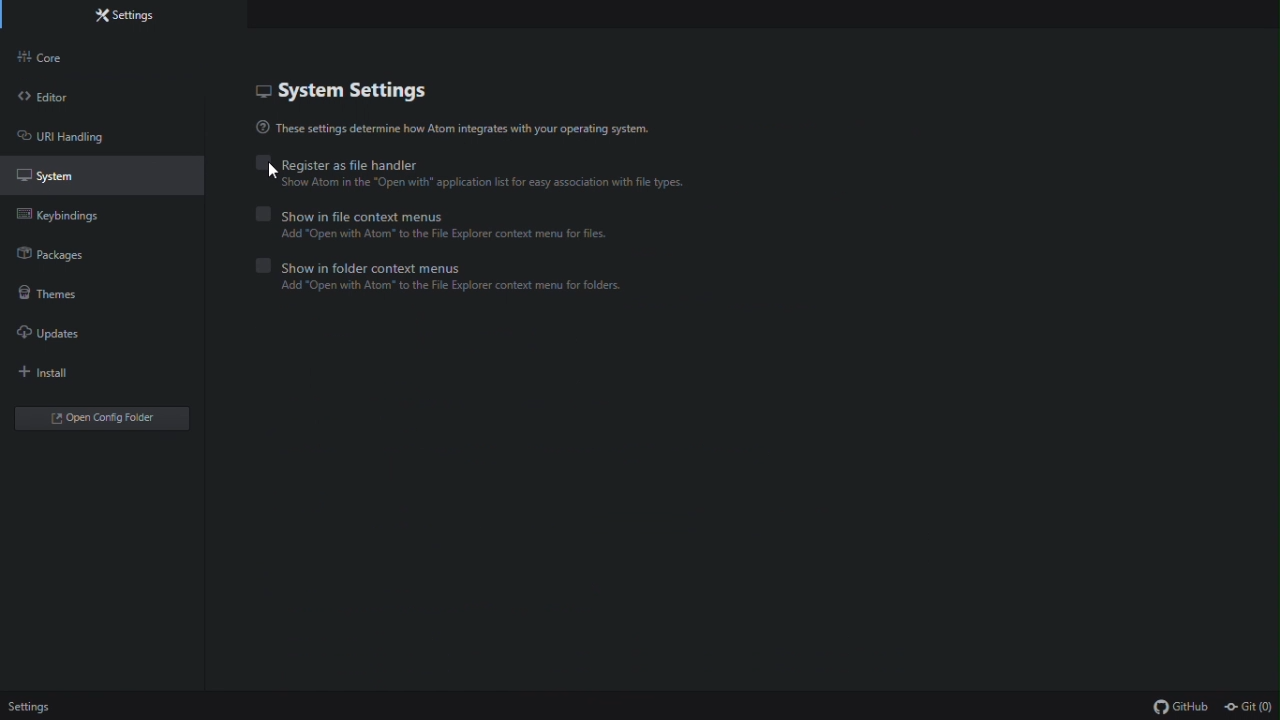  What do you see at coordinates (67, 258) in the screenshot?
I see `Packages` at bounding box center [67, 258].